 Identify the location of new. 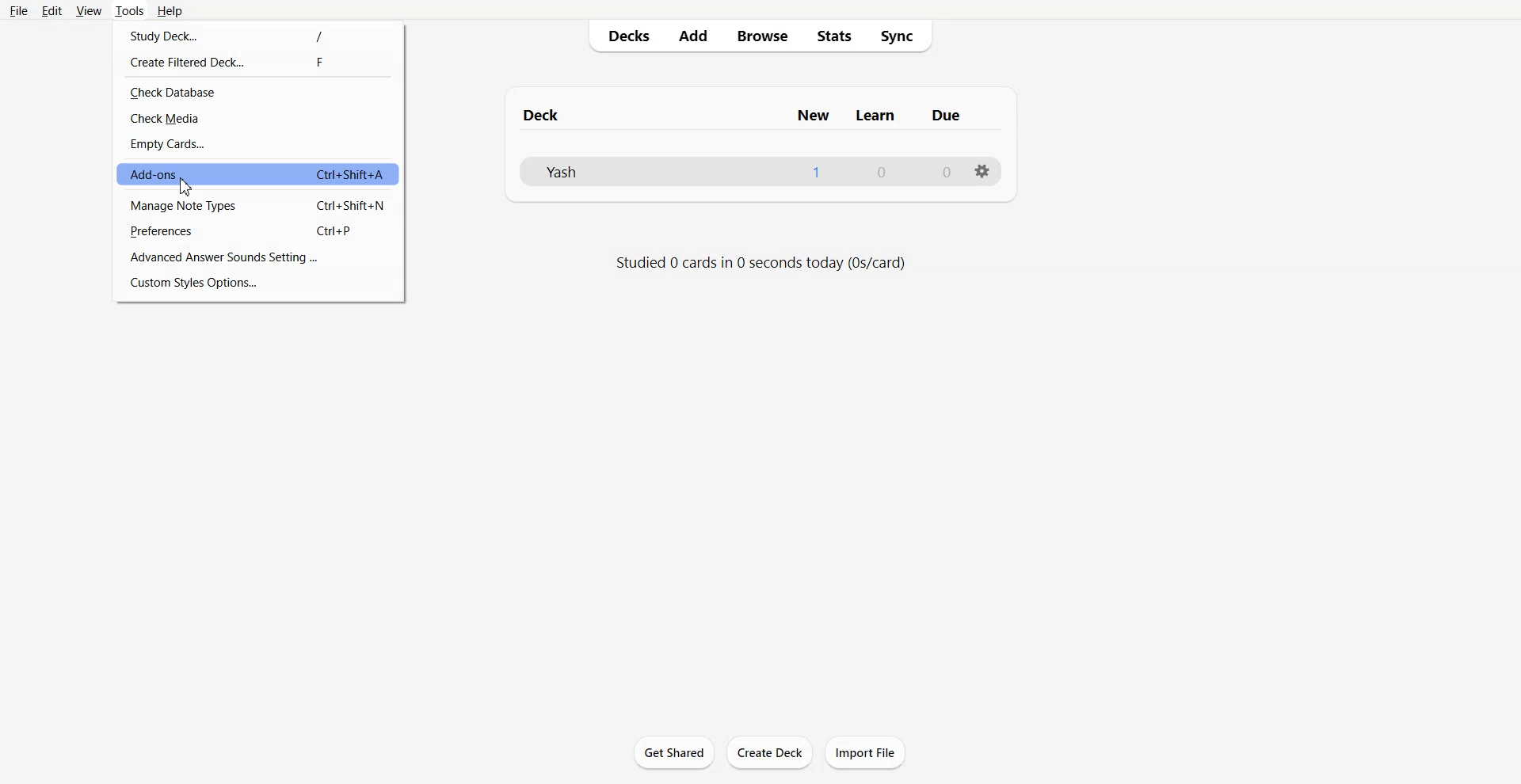
(815, 114).